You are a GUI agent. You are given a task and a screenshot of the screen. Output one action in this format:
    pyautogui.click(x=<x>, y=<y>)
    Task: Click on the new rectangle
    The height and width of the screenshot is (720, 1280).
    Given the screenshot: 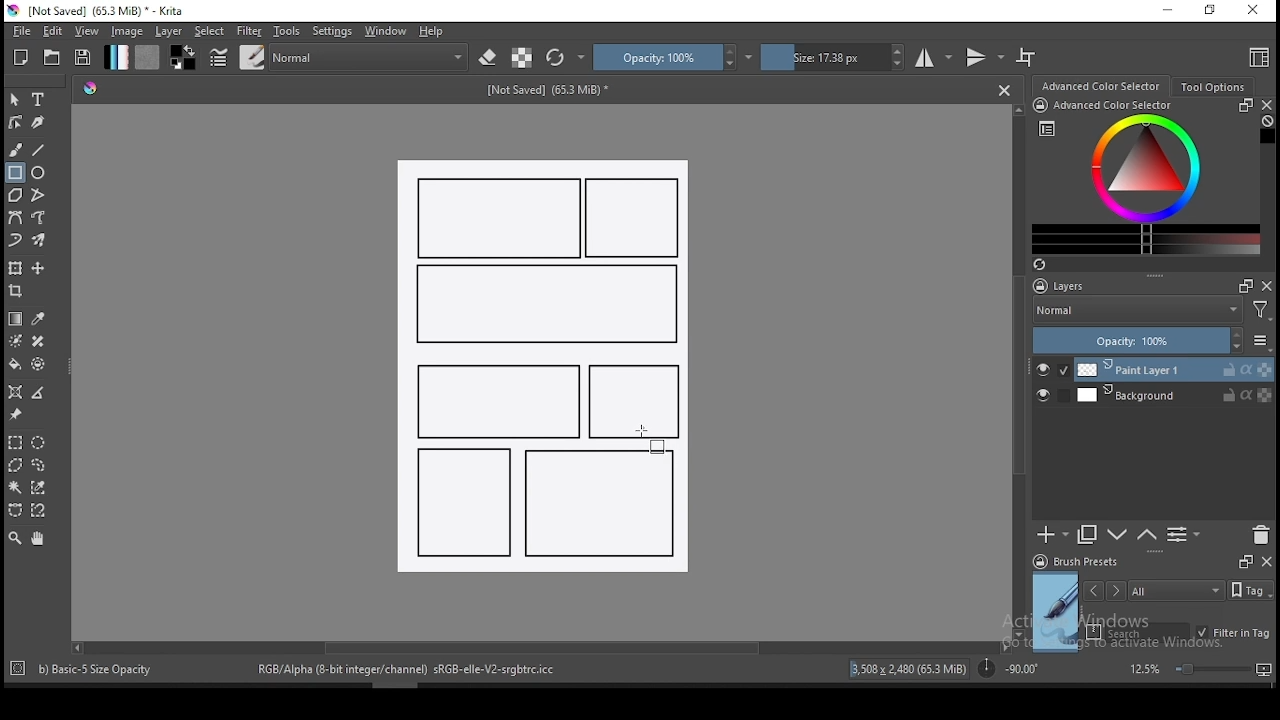 What is the action you would take?
    pyautogui.click(x=636, y=219)
    